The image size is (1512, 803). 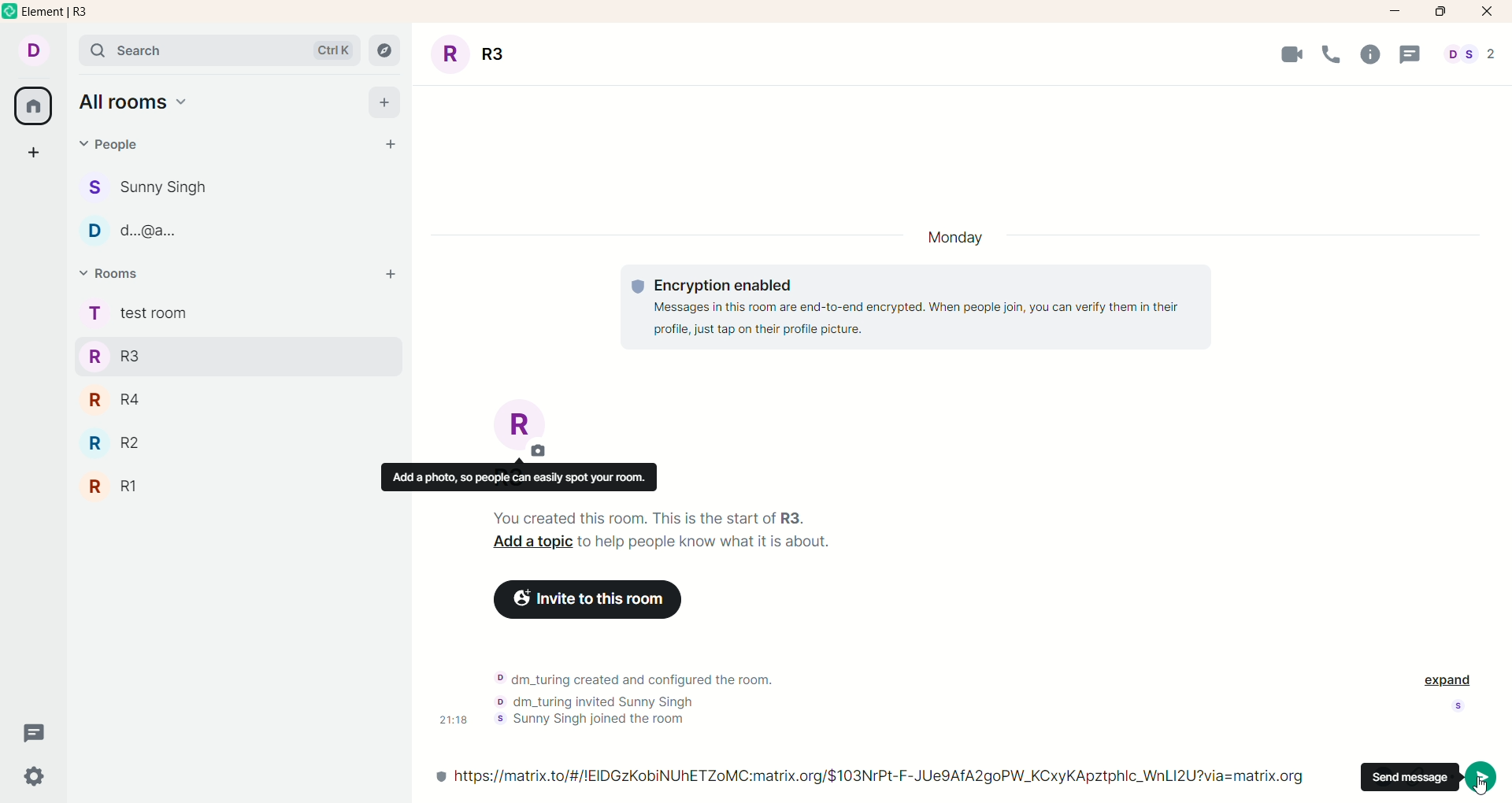 I want to click on minimize, so click(x=1397, y=9).